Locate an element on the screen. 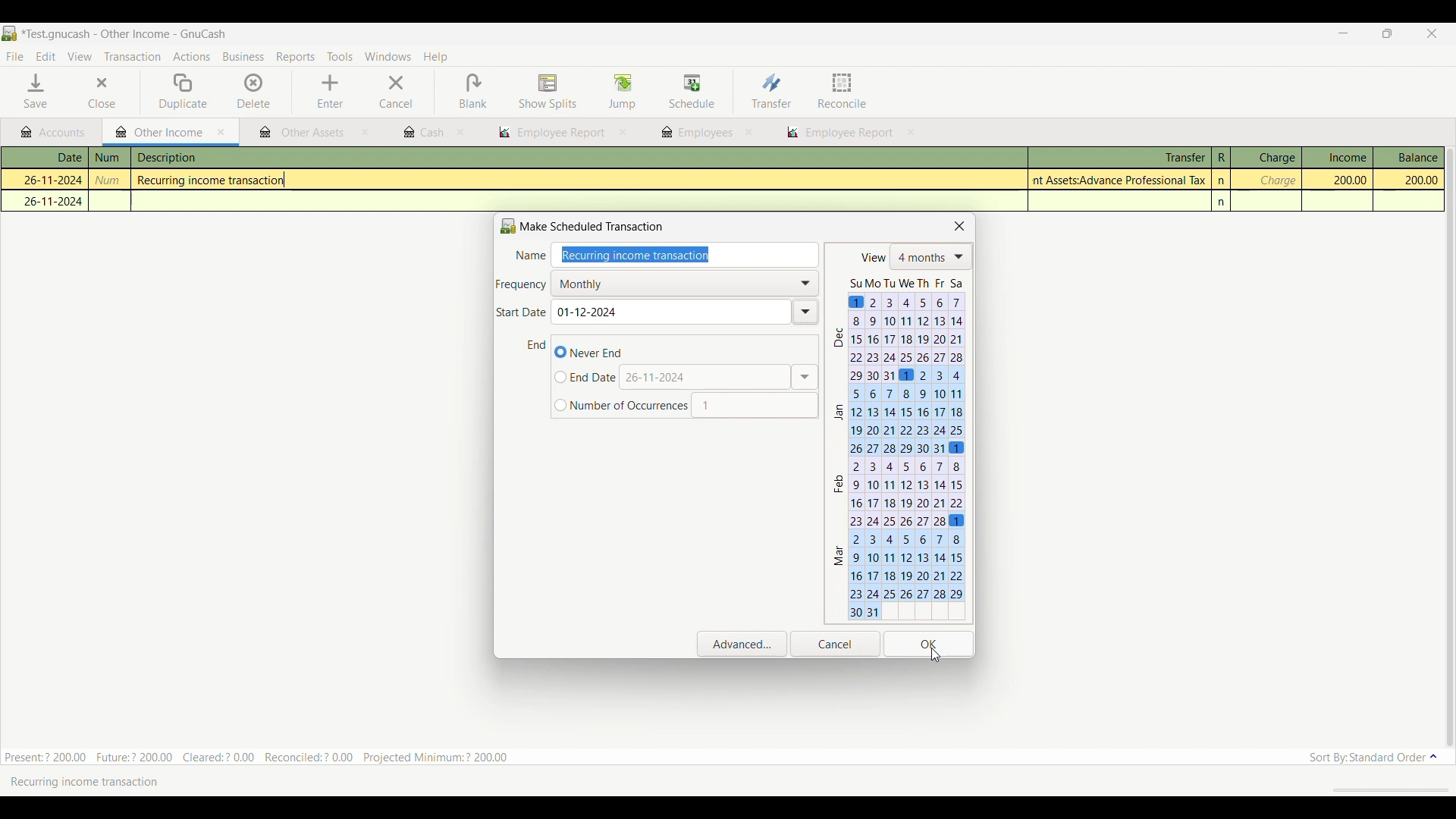 The width and height of the screenshot is (1456, 819). Windows menu is located at coordinates (388, 57).